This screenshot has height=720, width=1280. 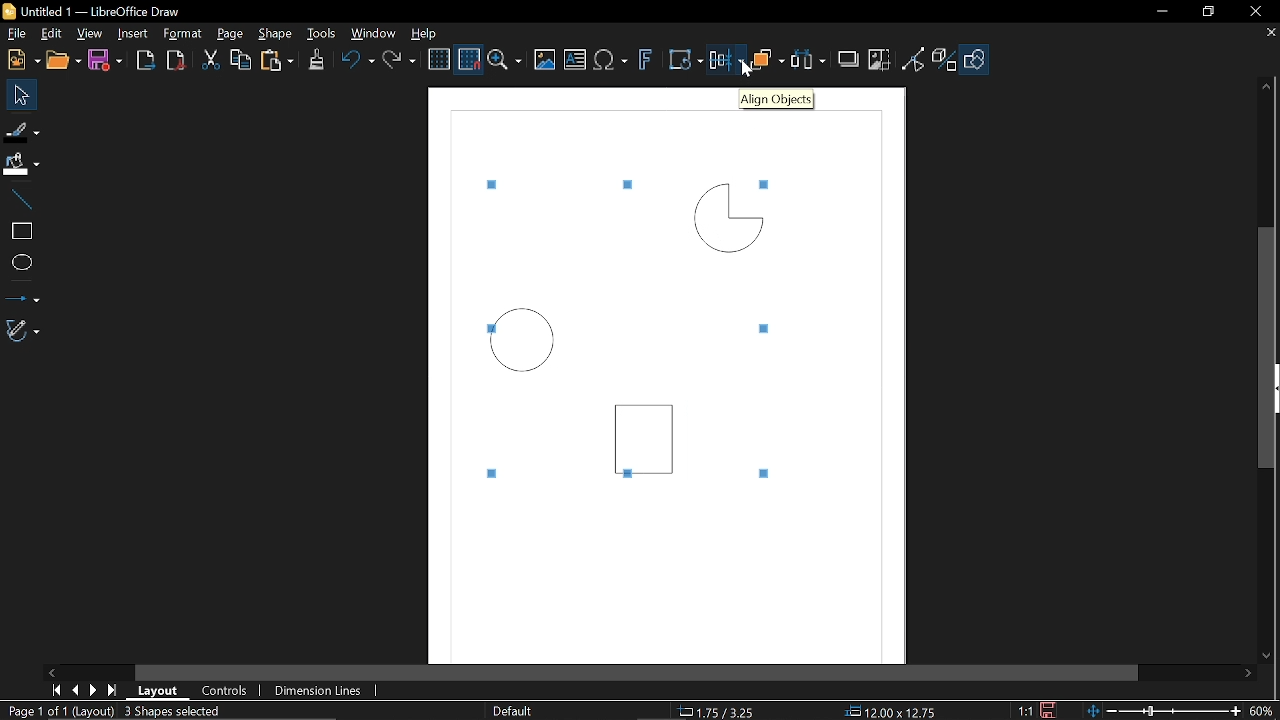 What do you see at coordinates (470, 59) in the screenshot?
I see `Snap to grid` at bounding box center [470, 59].